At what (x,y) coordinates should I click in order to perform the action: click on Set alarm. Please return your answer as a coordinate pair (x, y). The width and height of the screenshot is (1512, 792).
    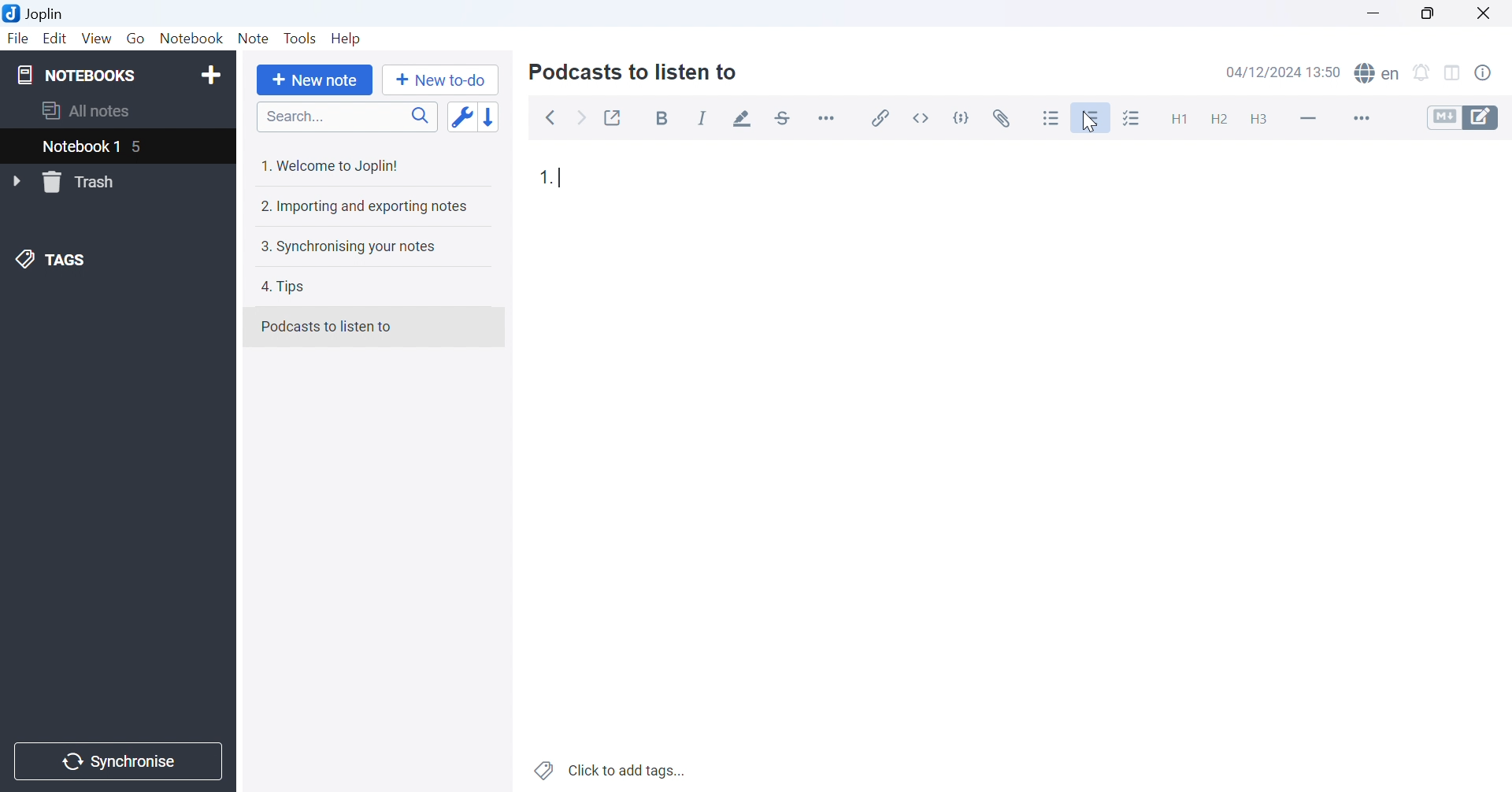
    Looking at the image, I should click on (1421, 72).